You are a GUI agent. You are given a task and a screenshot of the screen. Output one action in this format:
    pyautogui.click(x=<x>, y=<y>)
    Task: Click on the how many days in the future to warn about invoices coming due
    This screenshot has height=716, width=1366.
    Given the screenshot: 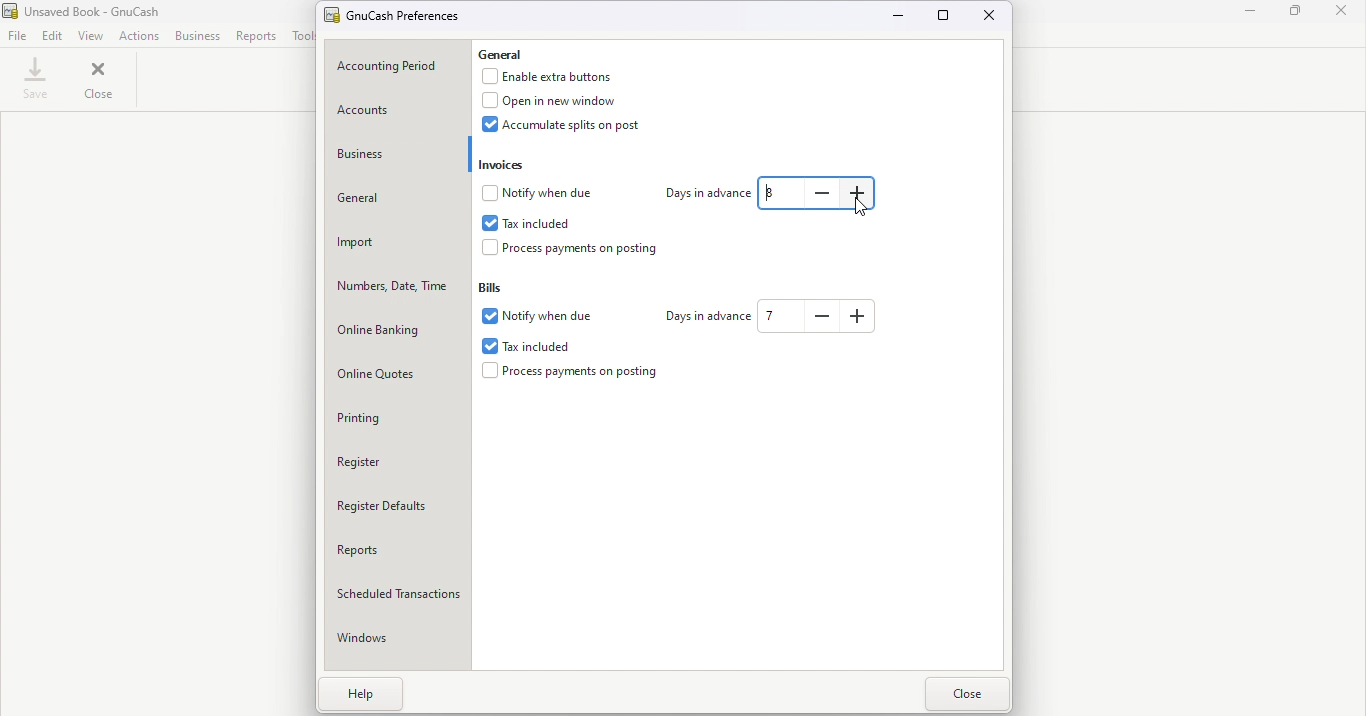 What is the action you would take?
    pyautogui.click(x=860, y=193)
    